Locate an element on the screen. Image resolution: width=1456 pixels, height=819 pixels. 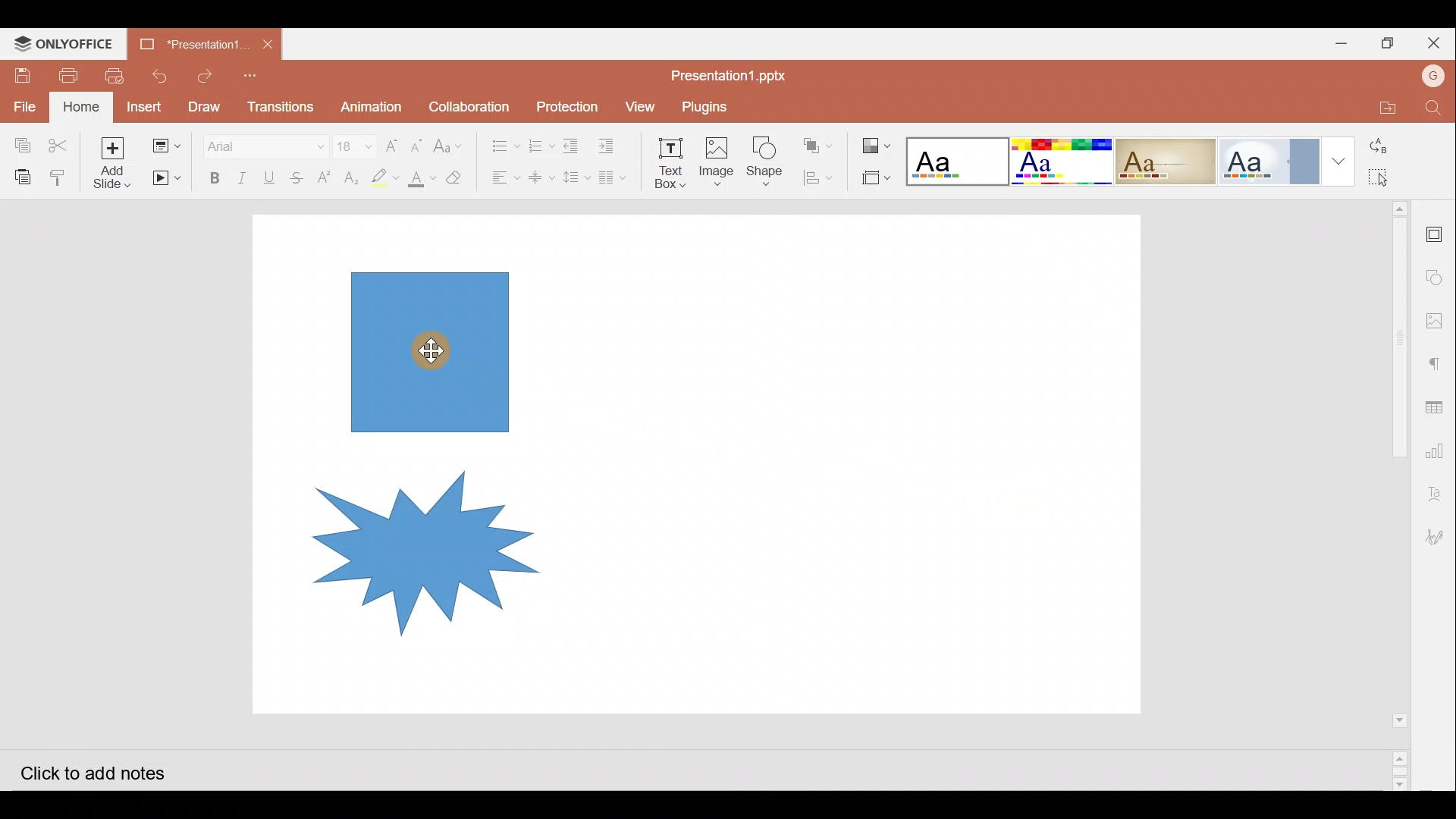
Insert image is located at coordinates (715, 155).